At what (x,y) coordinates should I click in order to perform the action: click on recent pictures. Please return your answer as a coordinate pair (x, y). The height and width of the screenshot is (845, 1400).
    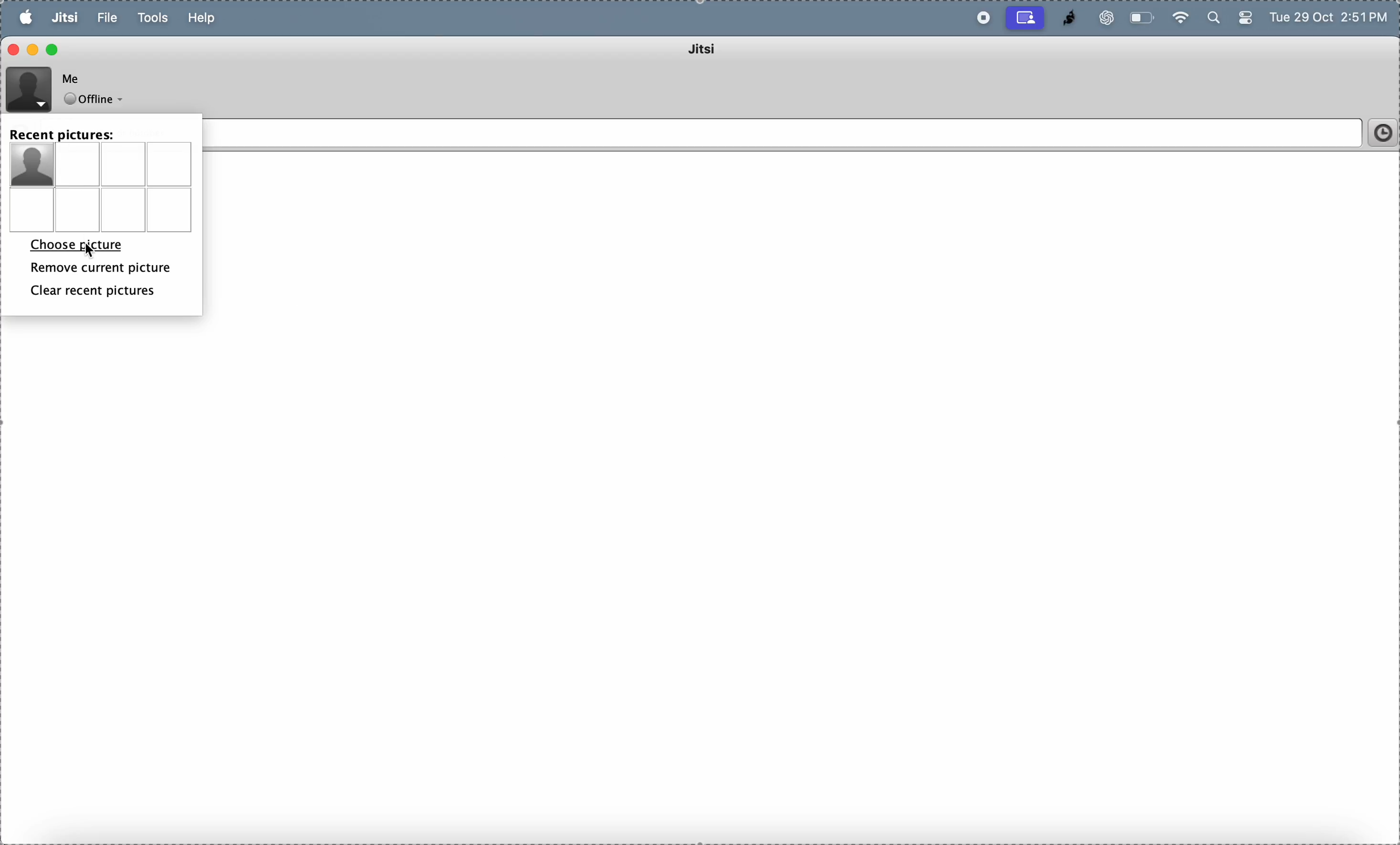
    Looking at the image, I should click on (84, 132).